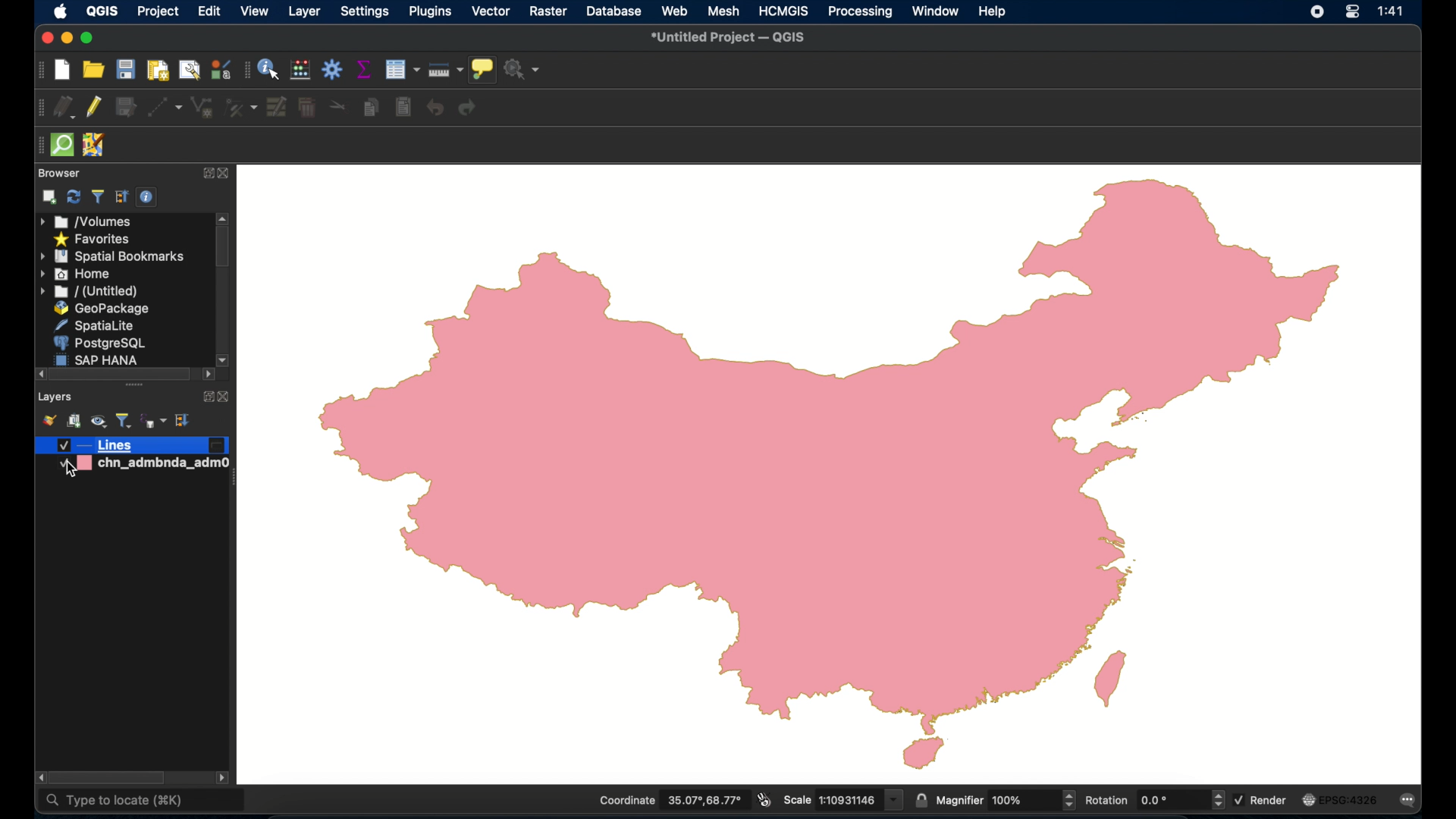  Describe the element at coordinates (764, 799) in the screenshot. I see `toggle extents and mouse display position` at that location.